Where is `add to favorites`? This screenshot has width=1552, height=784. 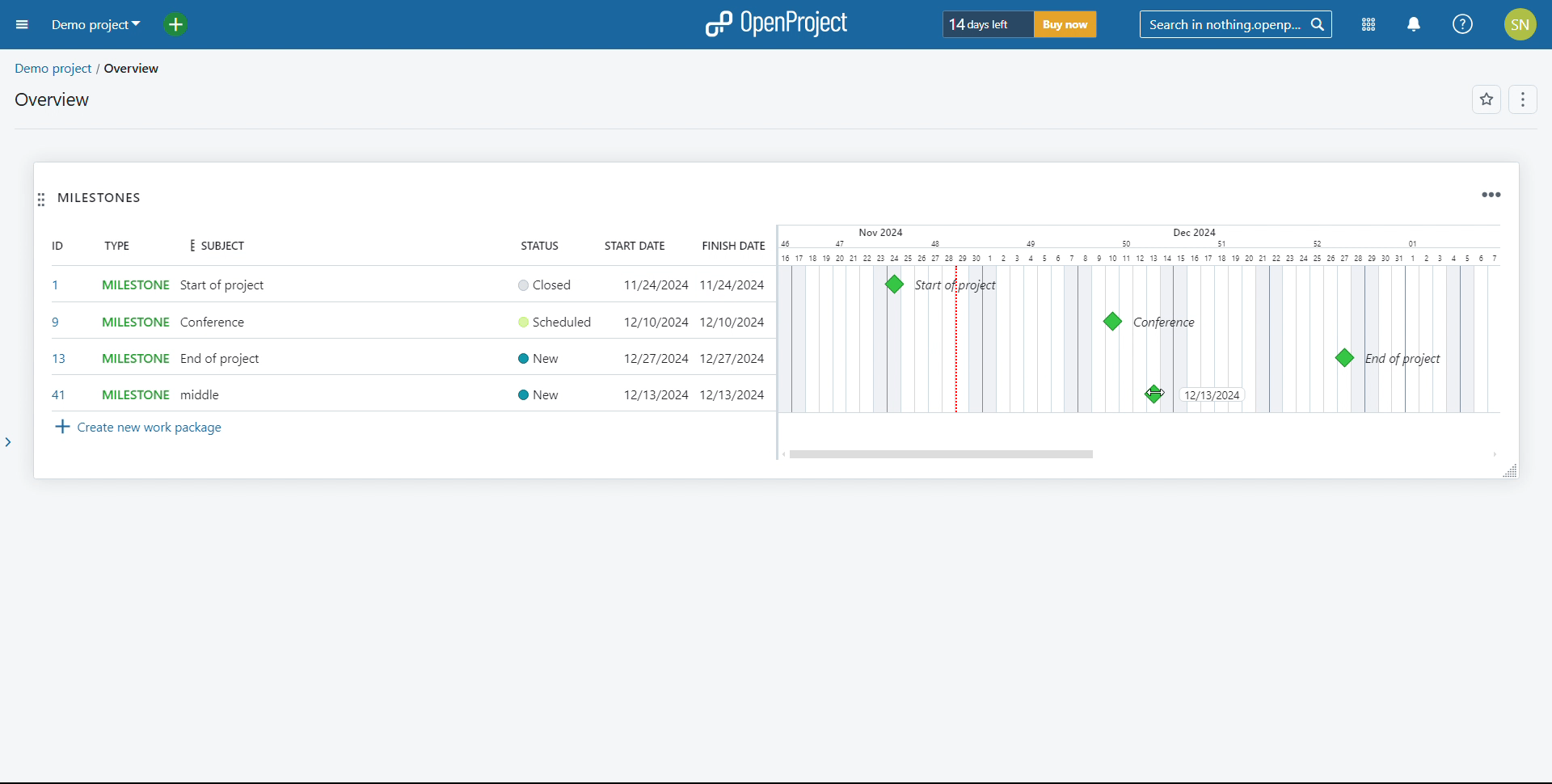
add to favorites is located at coordinates (1487, 99).